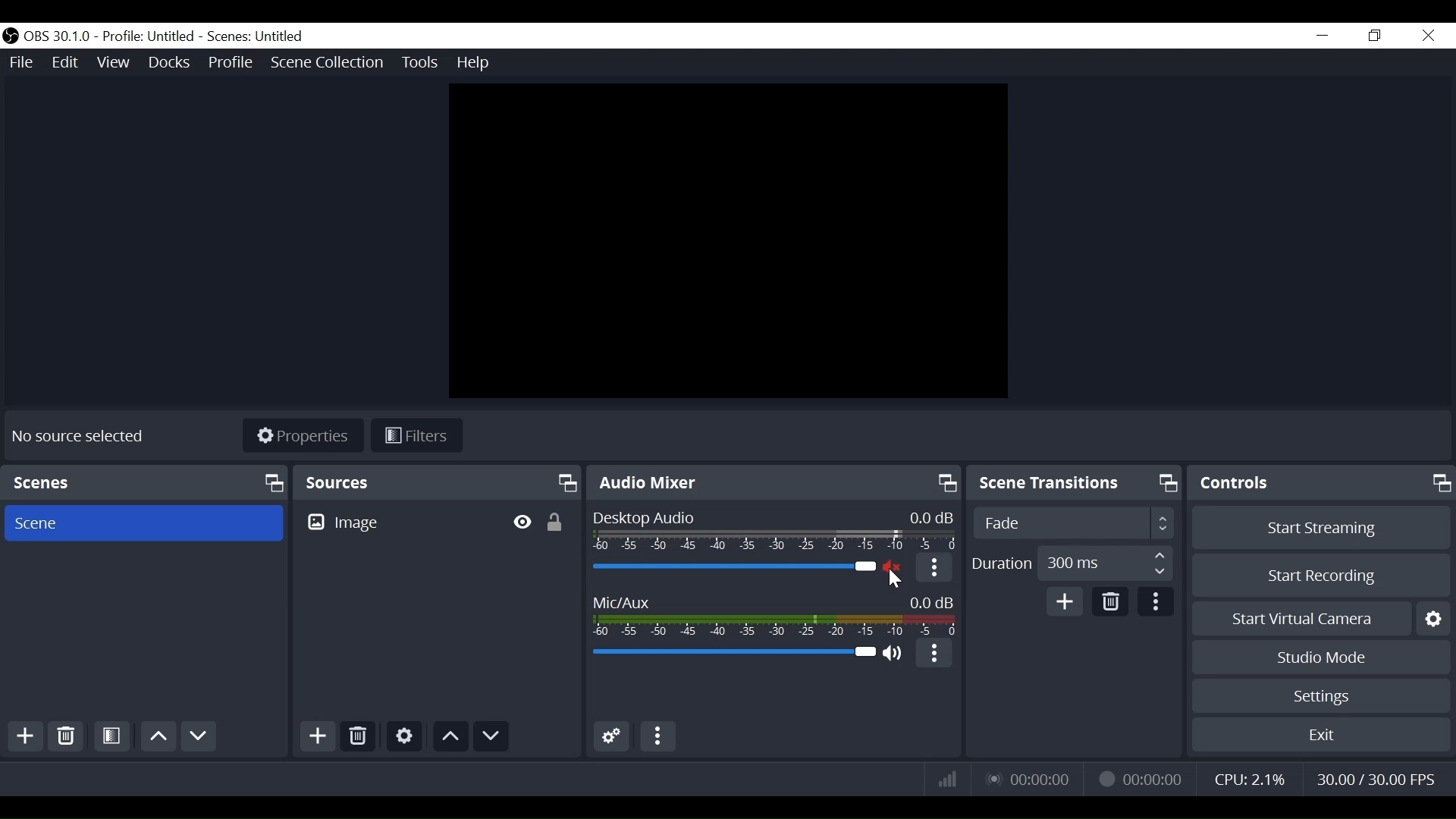 The image size is (1456, 819). Describe the element at coordinates (1022, 777) in the screenshot. I see `Live Status` at that location.